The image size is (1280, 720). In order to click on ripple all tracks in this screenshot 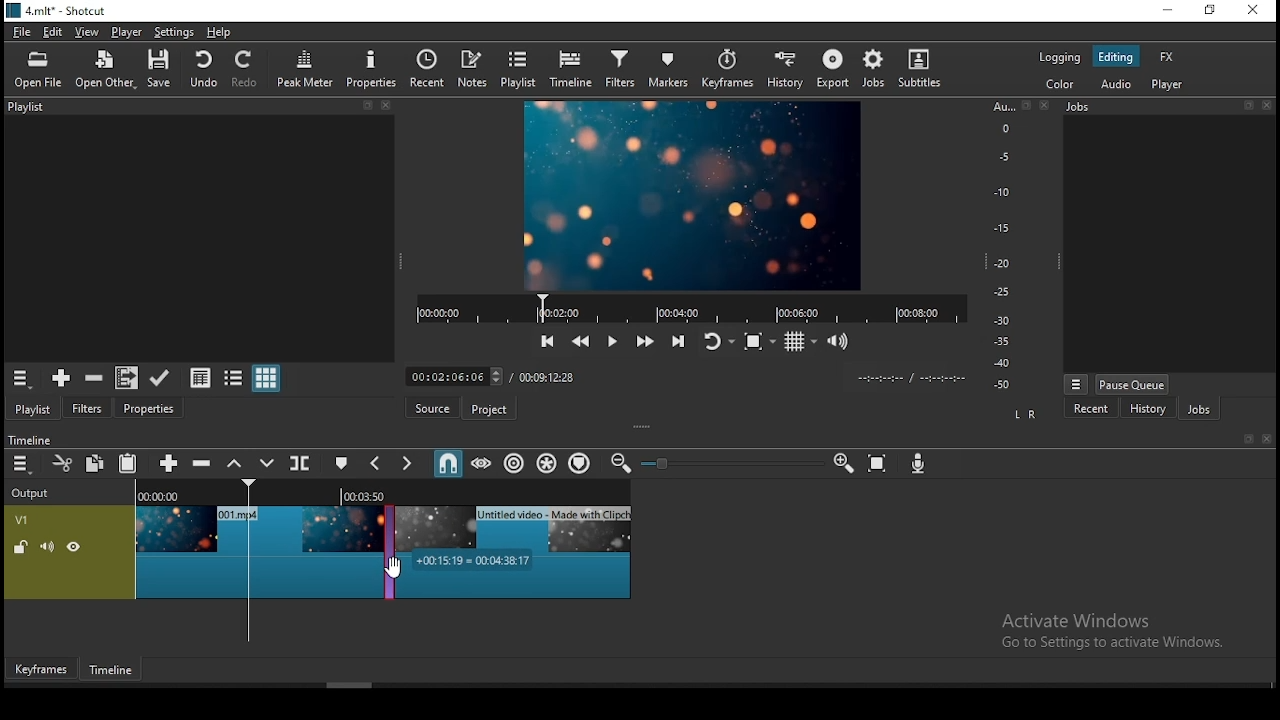, I will do `click(548, 464)`.